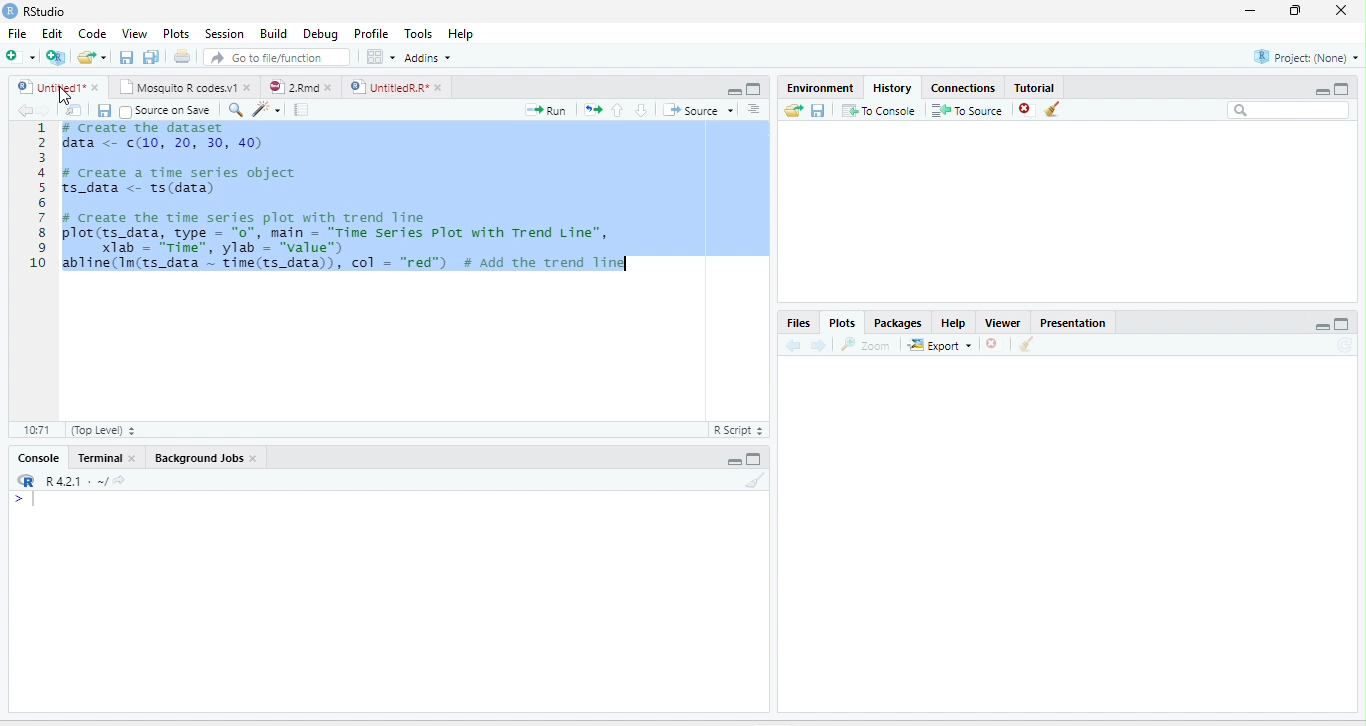  Describe the element at coordinates (18, 33) in the screenshot. I see `File` at that location.